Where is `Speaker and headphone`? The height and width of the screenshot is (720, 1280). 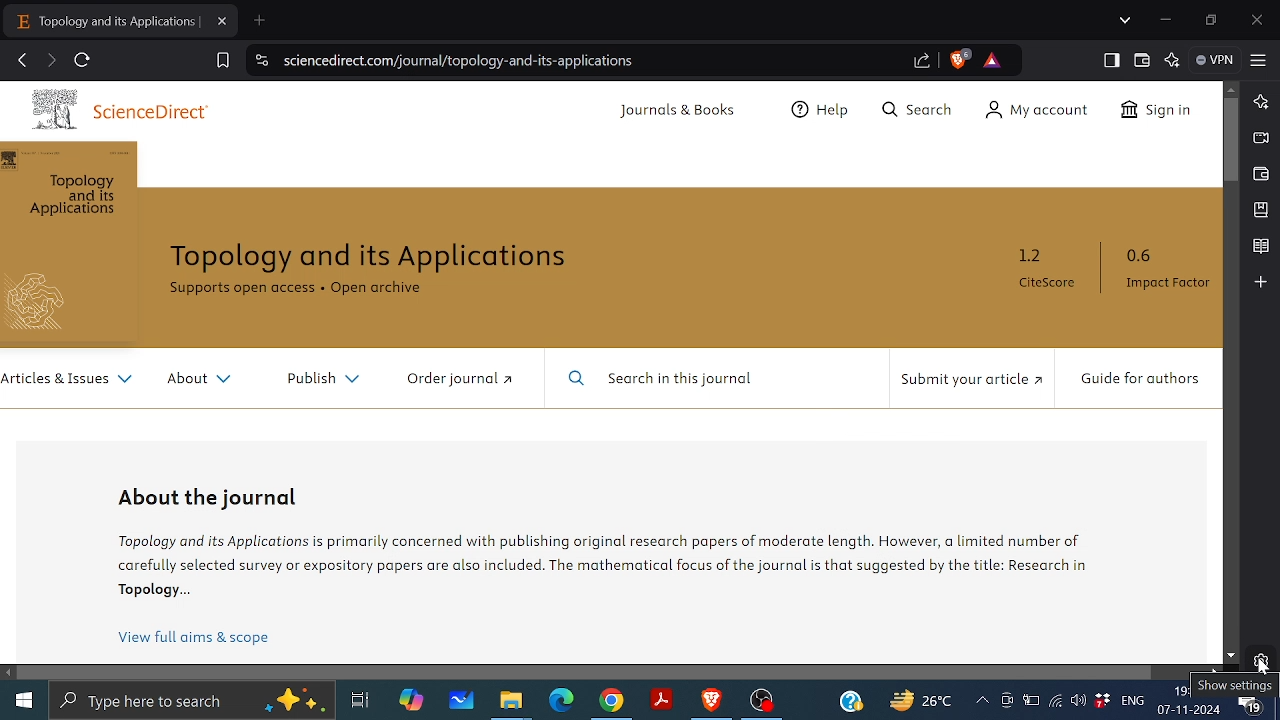
Speaker and headphone is located at coordinates (1077, 700).